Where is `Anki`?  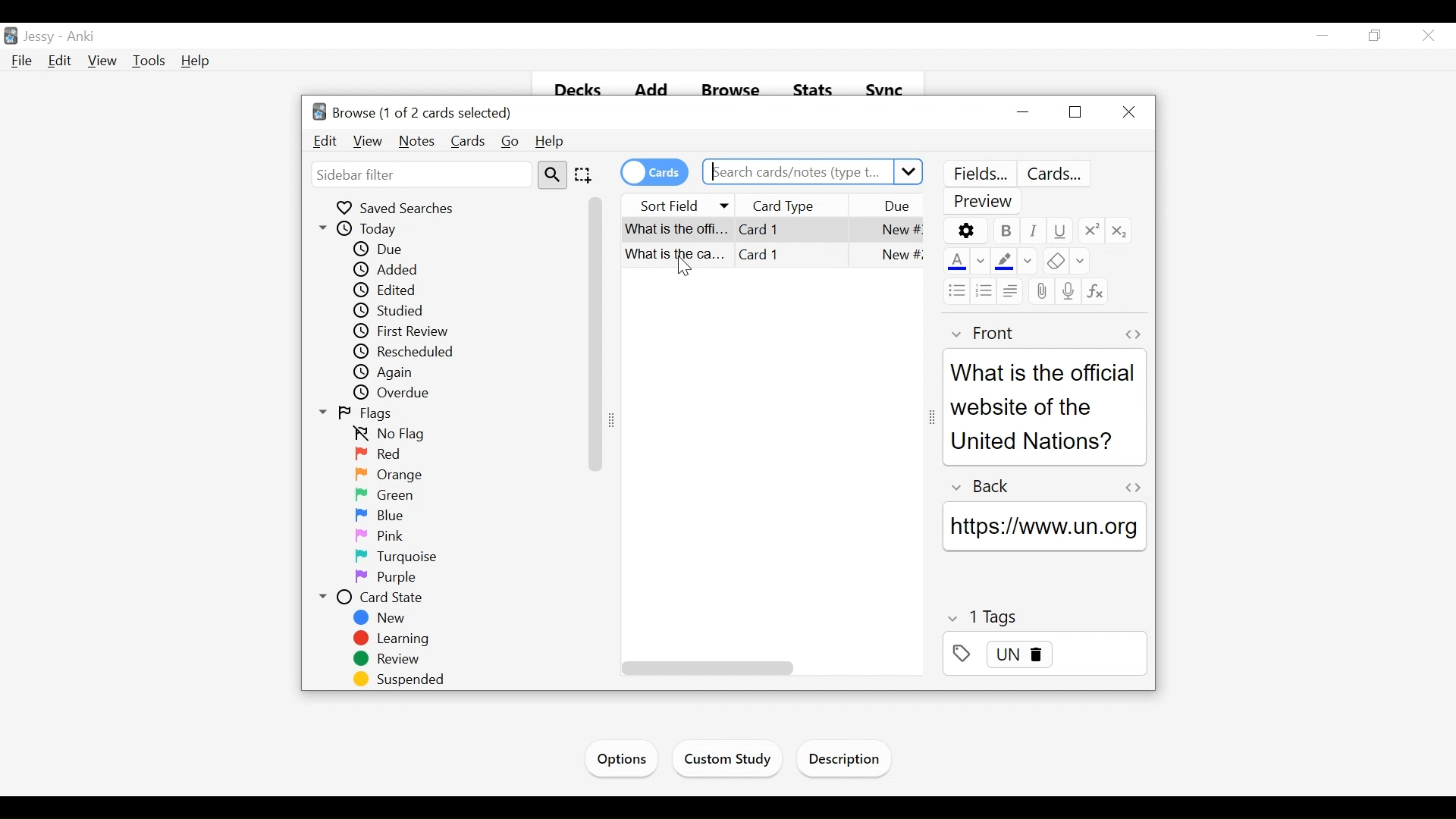
Anki is located at coordinates (85, 37).